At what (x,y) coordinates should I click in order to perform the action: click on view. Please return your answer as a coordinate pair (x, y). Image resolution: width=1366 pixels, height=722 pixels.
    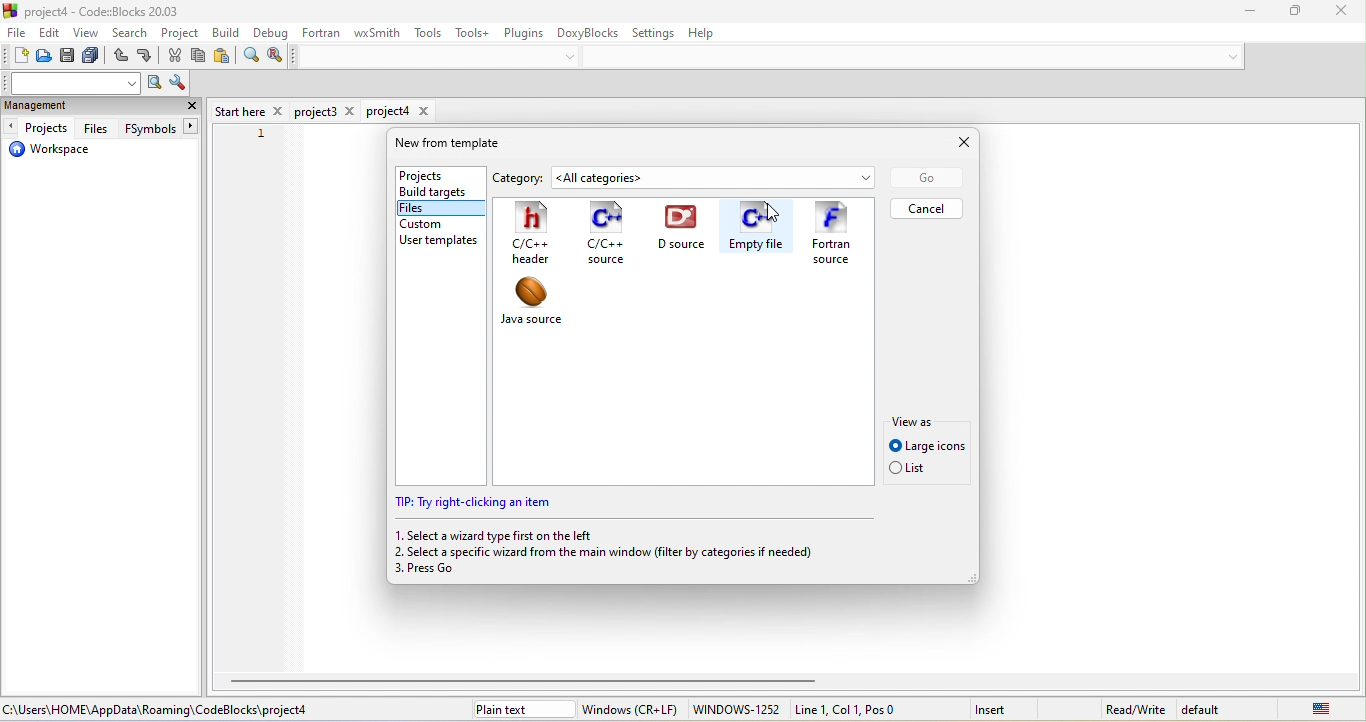
    Looking at the image, I should click on (88, 35).